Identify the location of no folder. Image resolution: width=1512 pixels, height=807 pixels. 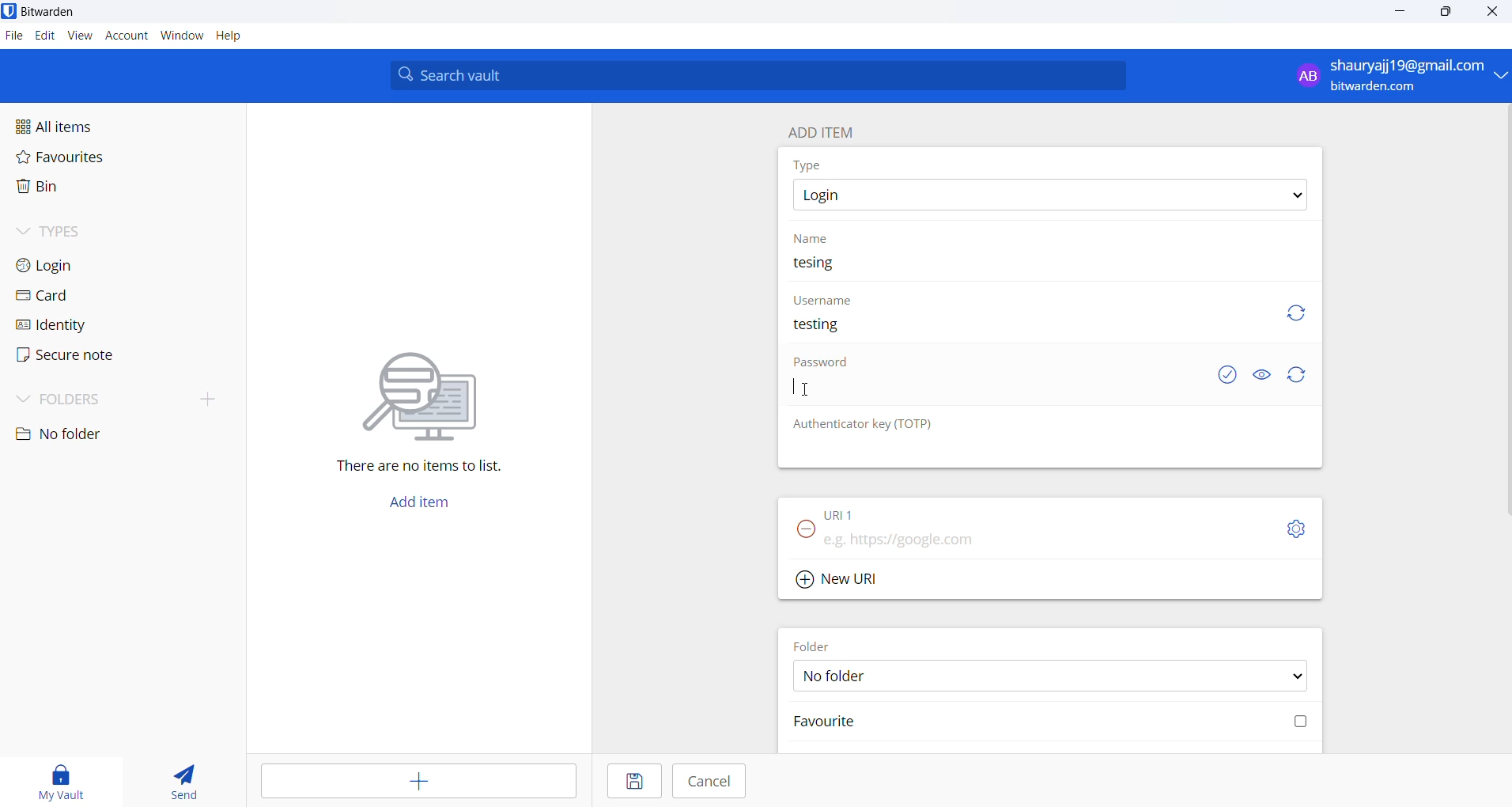
(94, 434).